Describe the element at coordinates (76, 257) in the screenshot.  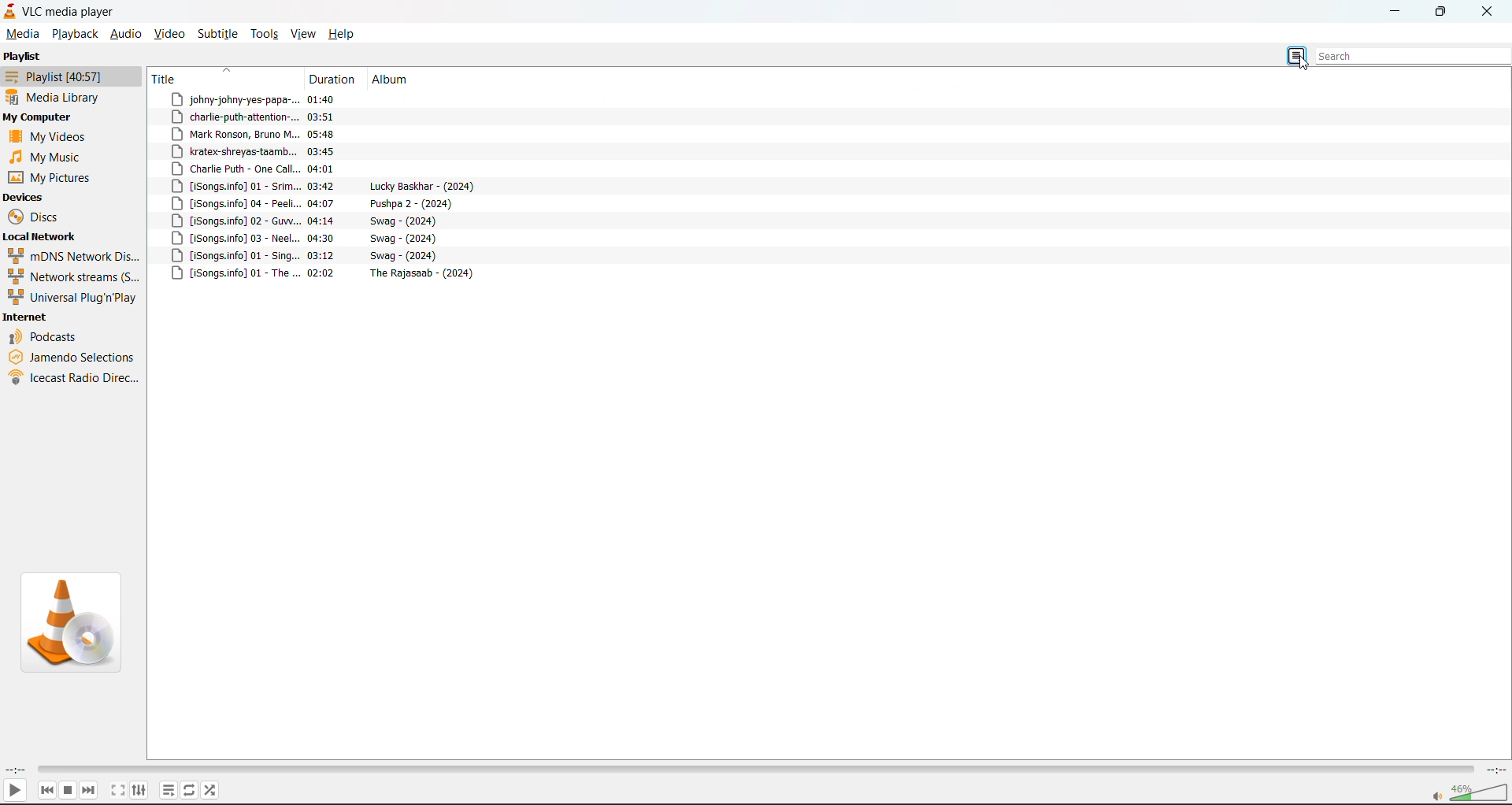
I see `mdns network` at that location.